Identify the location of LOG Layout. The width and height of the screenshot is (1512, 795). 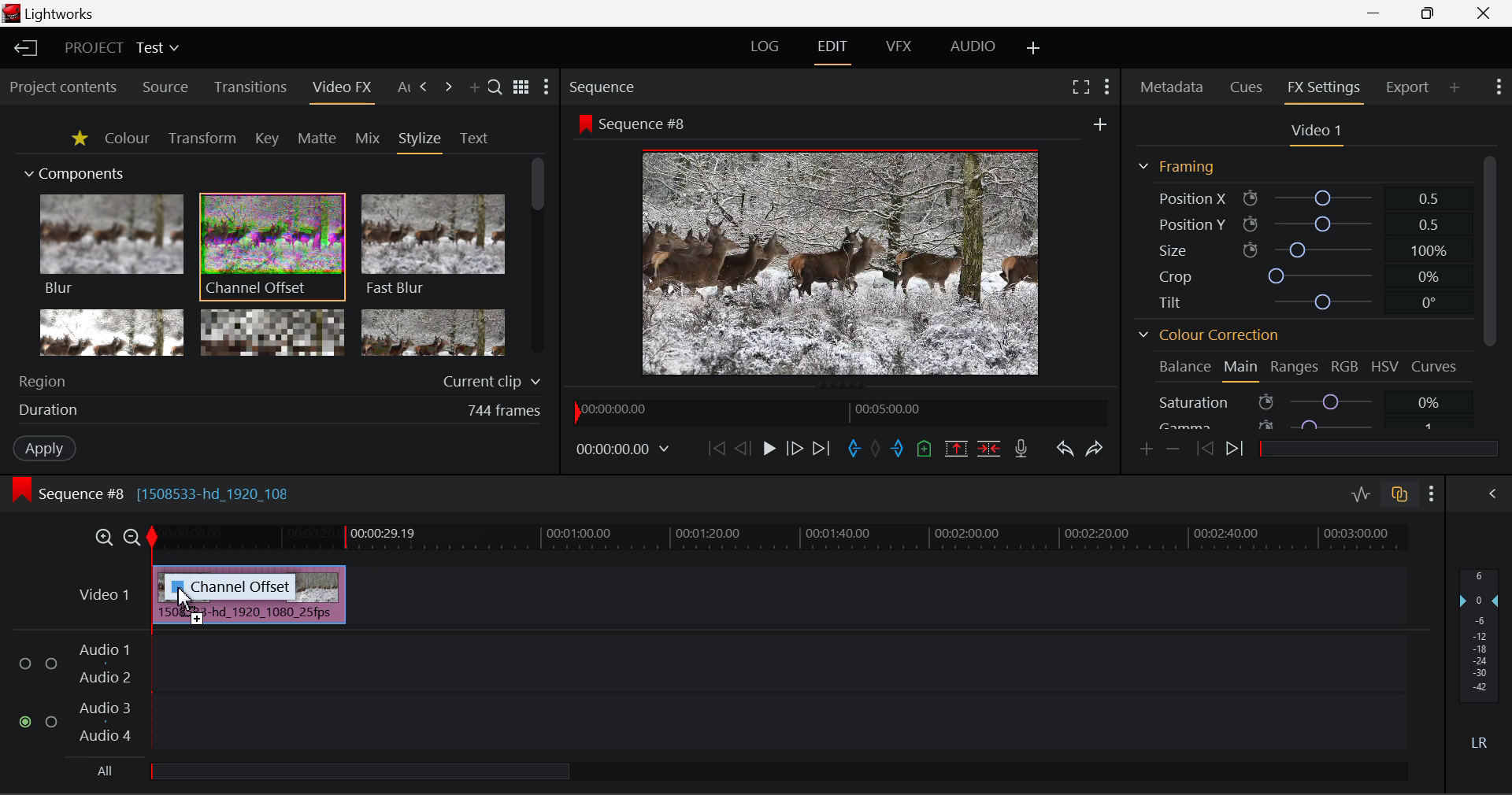
(765, 50).